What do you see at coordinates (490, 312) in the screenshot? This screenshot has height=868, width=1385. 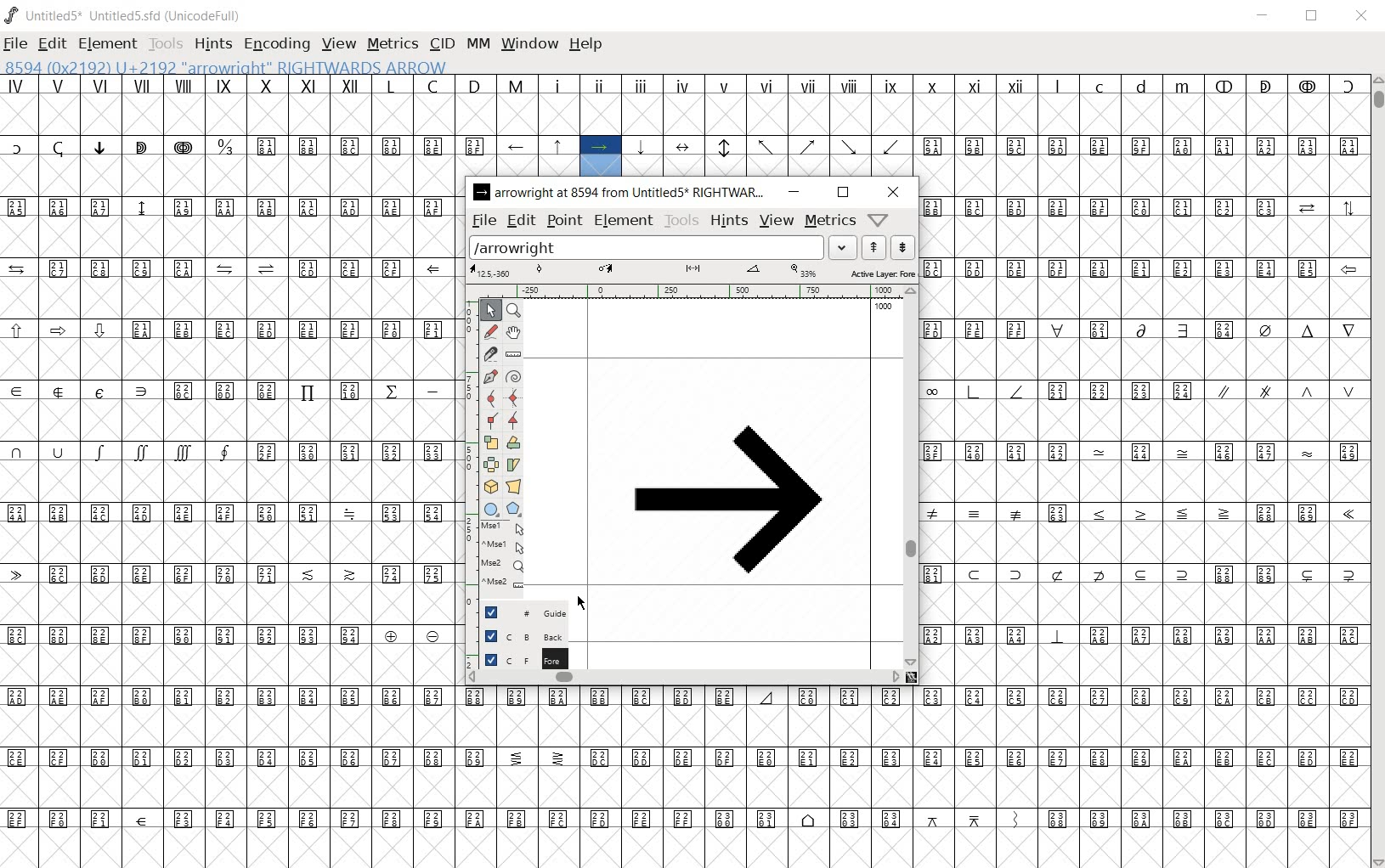 I see `pointer` at bounding box center [490, 312].